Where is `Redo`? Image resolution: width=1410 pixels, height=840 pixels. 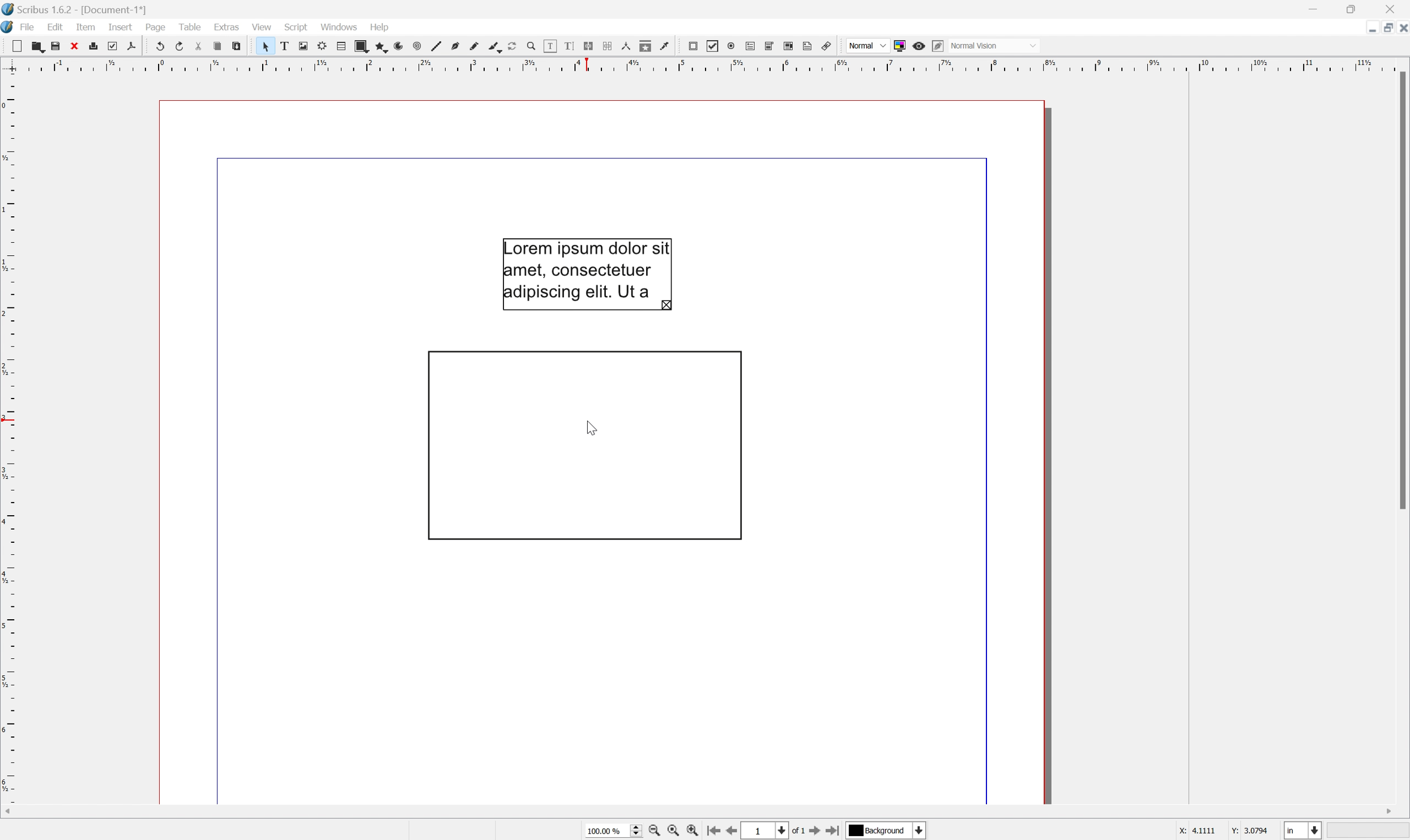 Redo is located at coordinates (179, 46).